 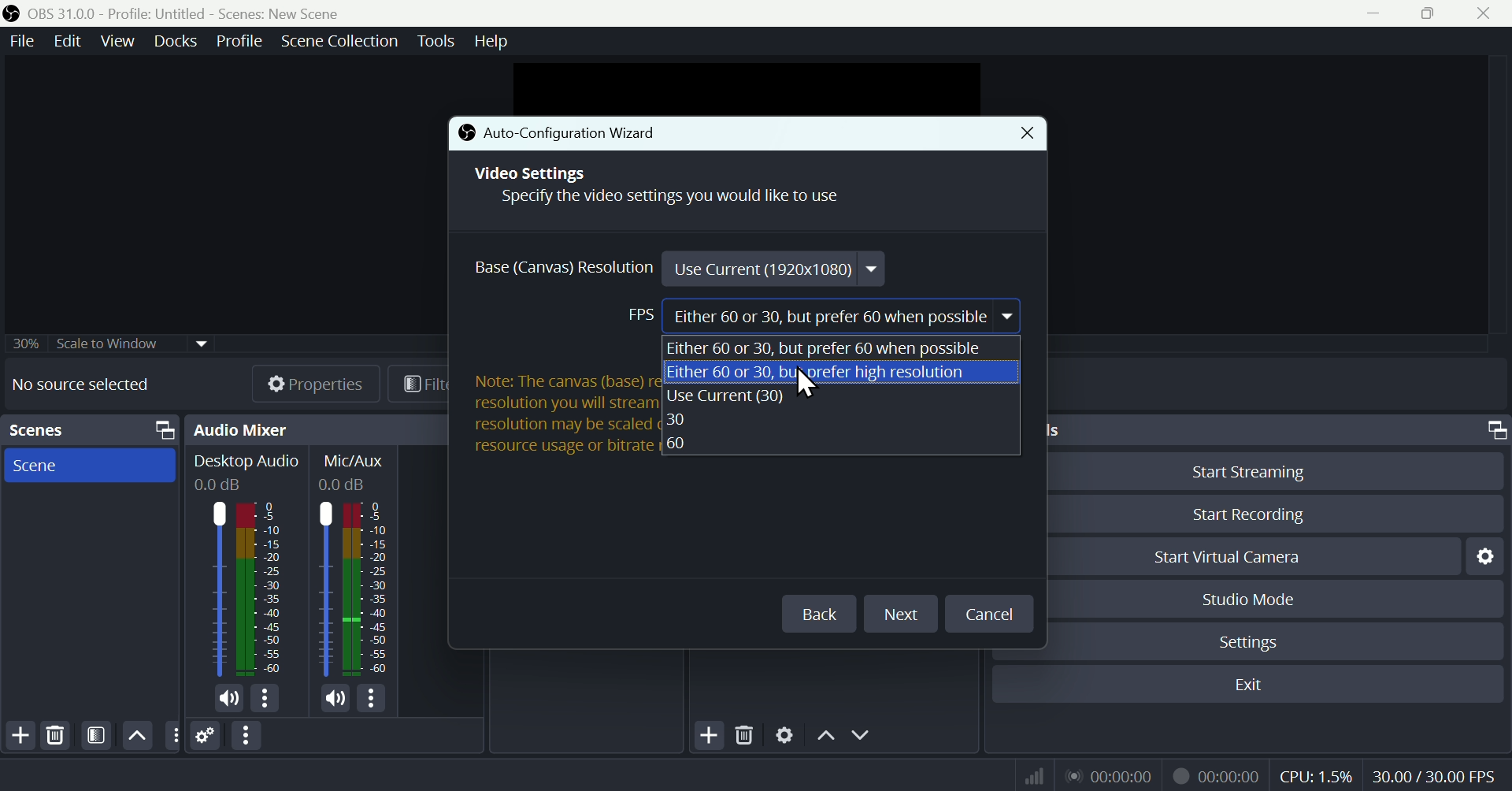 I want to click on mic, so click(x=229, y=699).